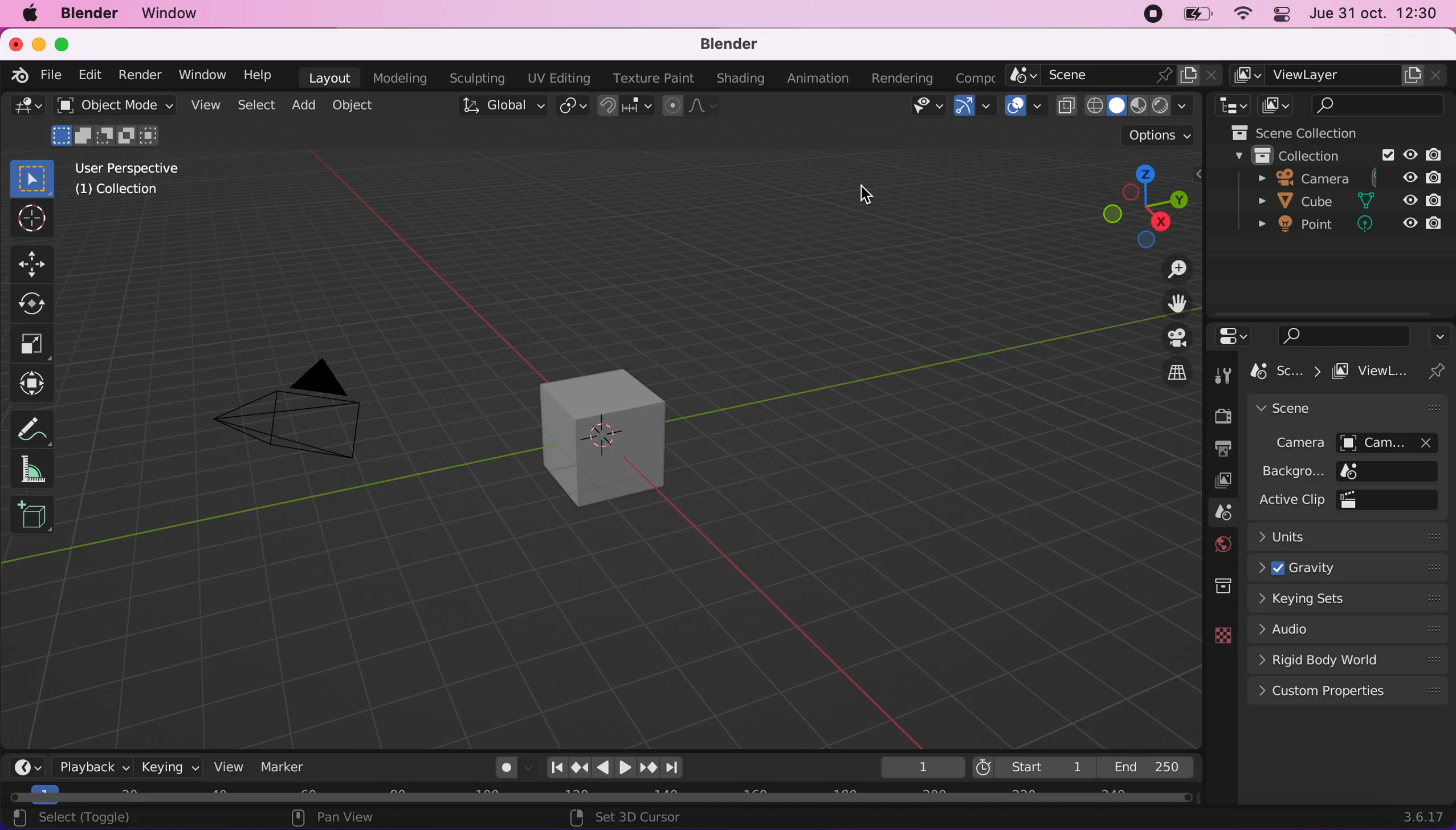 The height and width of the screenshot is (830, 1456). I want to click on layout, so click(331, 77).